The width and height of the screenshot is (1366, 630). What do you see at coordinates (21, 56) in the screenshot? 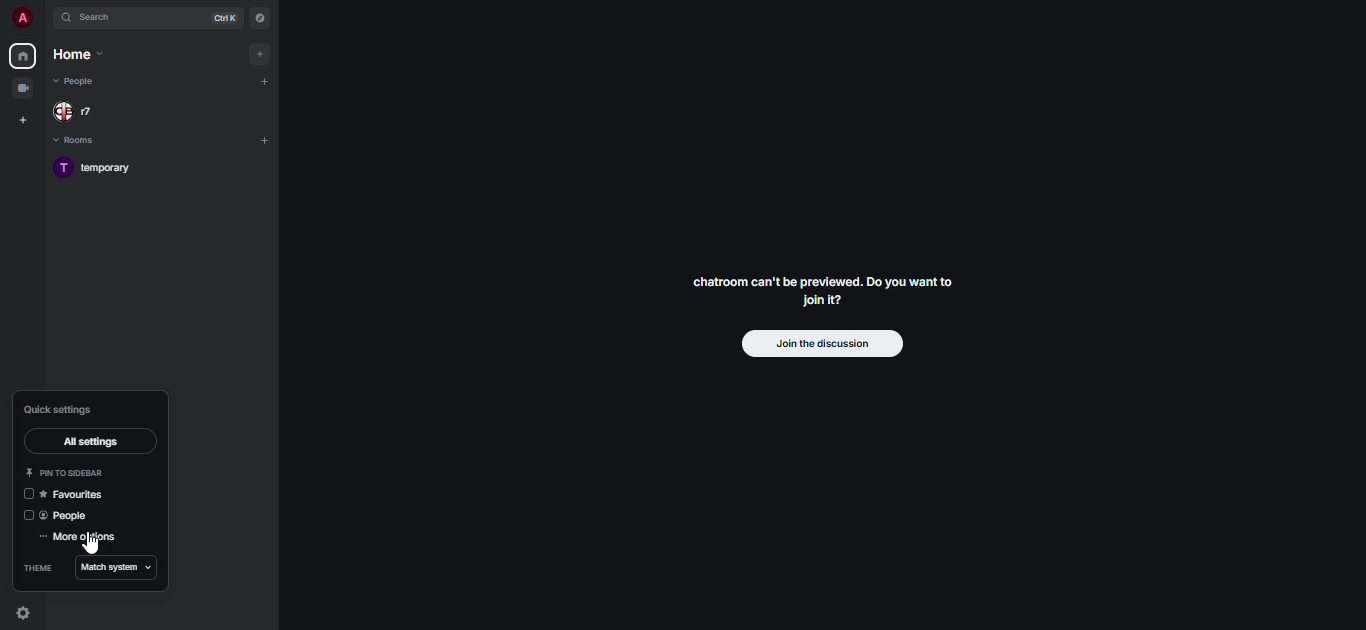
I see `home` at bounding box center [21, 56].